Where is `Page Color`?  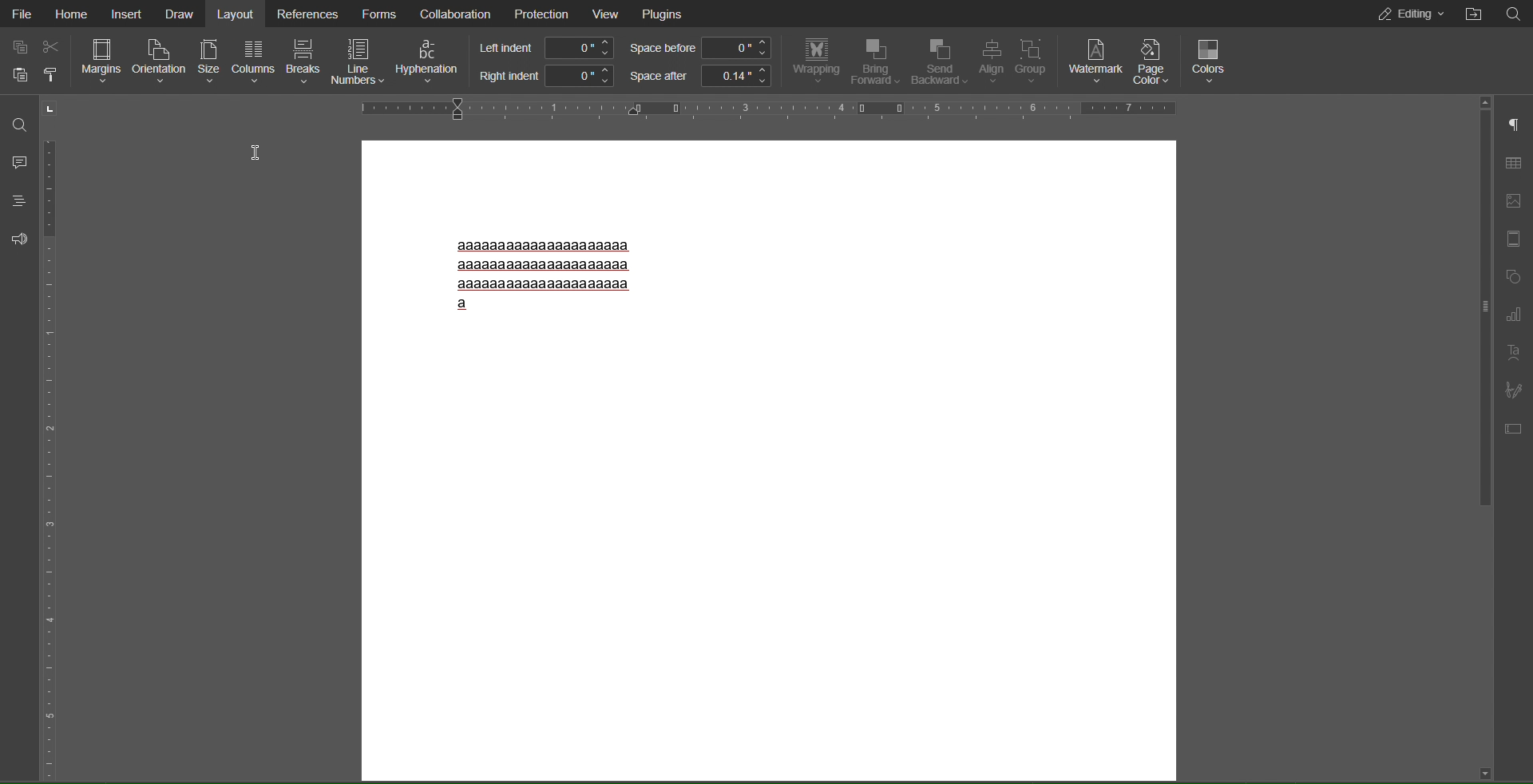 Page Color is located at coordinates (1154, 61).